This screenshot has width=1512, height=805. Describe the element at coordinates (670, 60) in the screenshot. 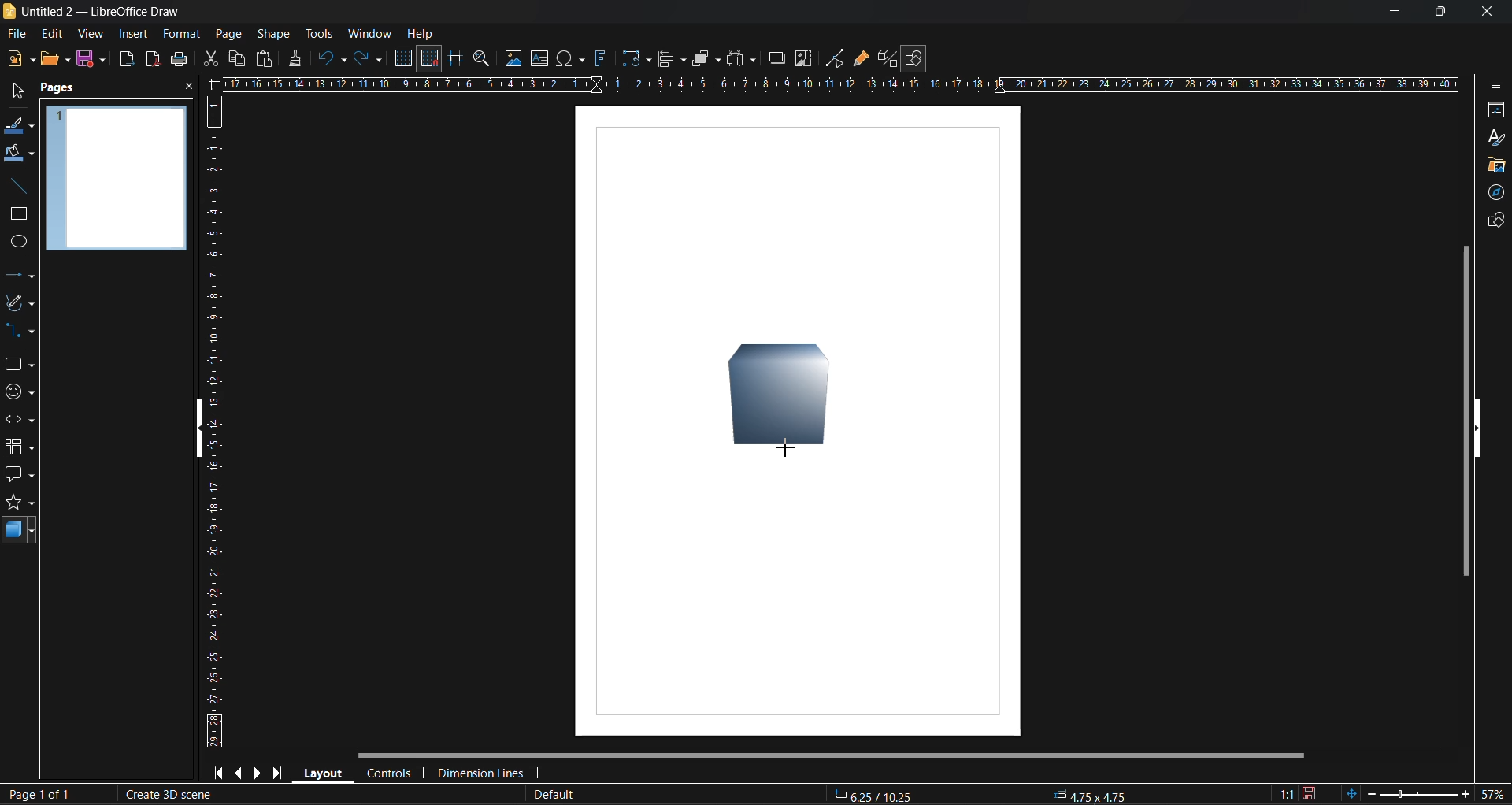

I see `align objects` at that location.